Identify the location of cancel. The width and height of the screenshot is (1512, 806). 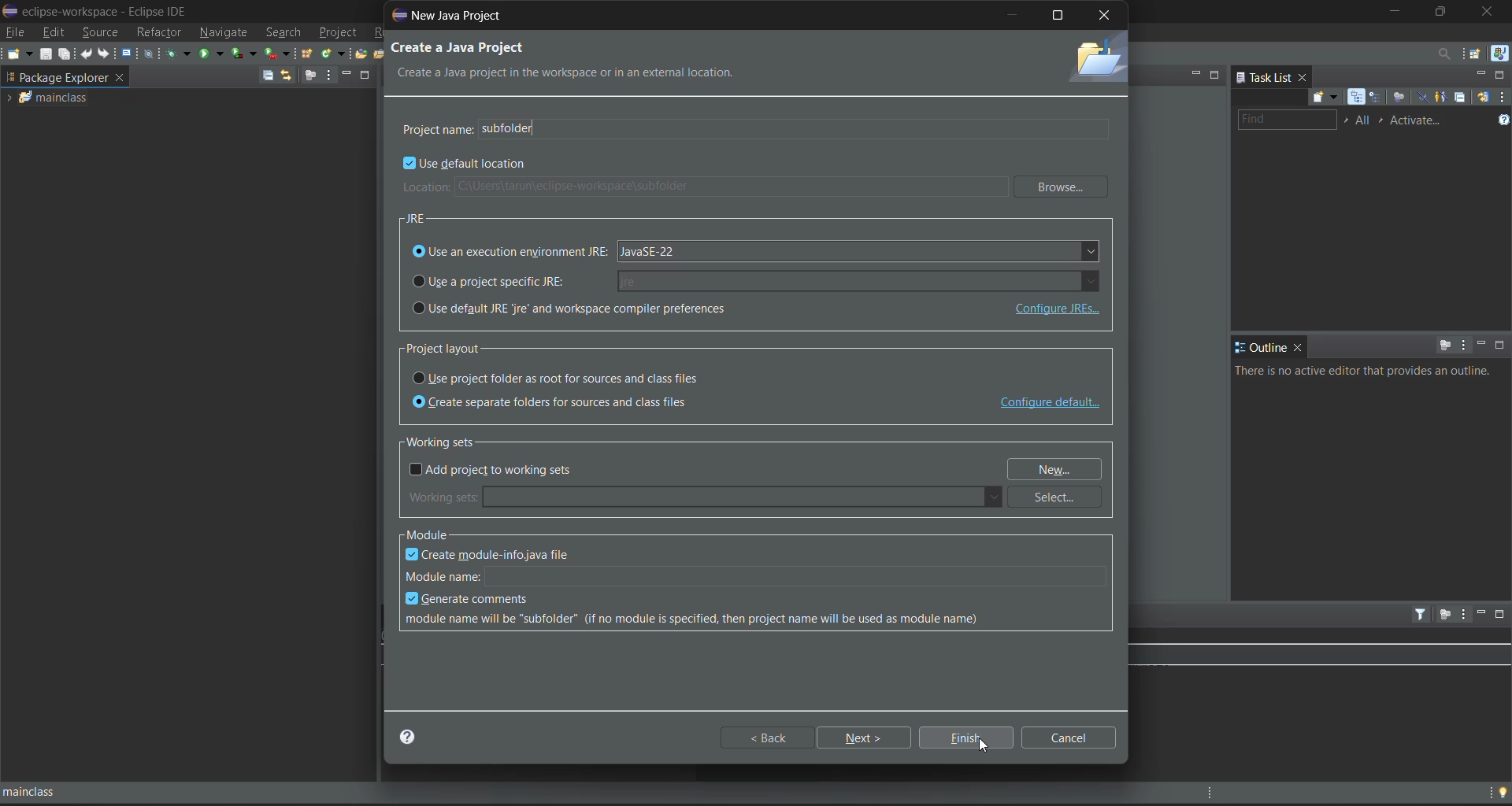
(1073, 737).